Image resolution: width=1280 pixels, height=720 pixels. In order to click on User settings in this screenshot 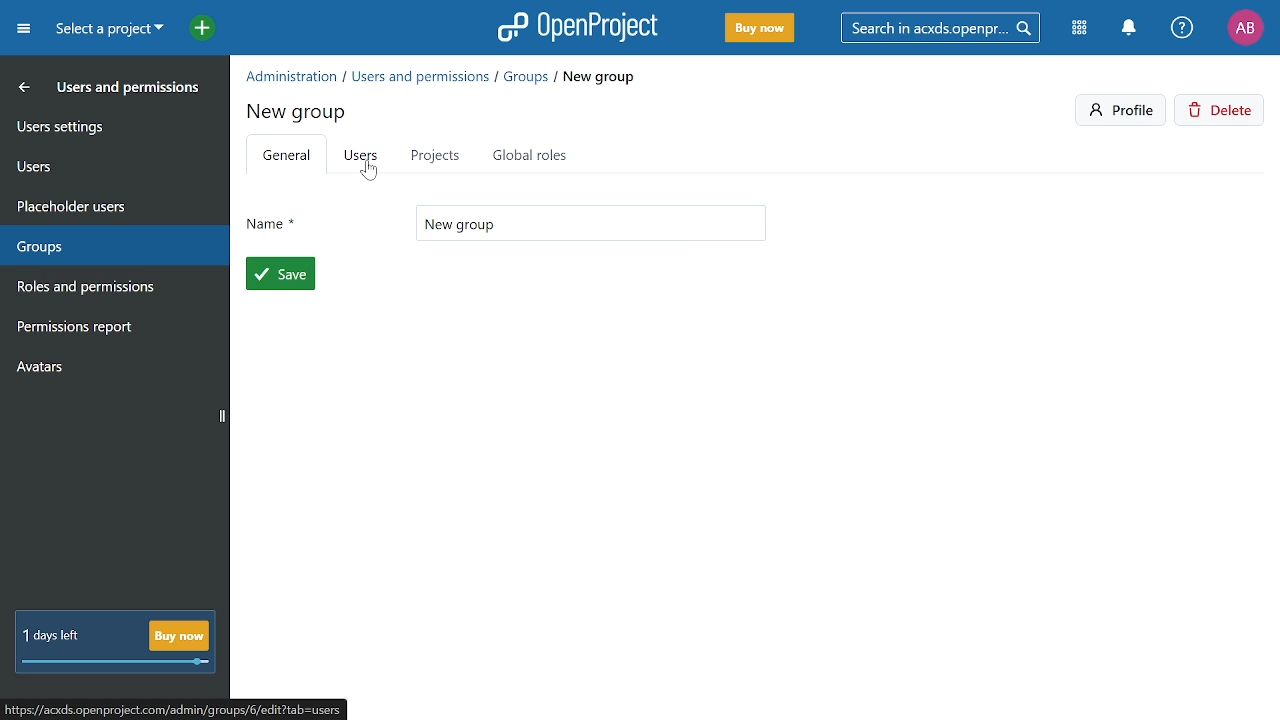, I will do `click(113, 125)`.